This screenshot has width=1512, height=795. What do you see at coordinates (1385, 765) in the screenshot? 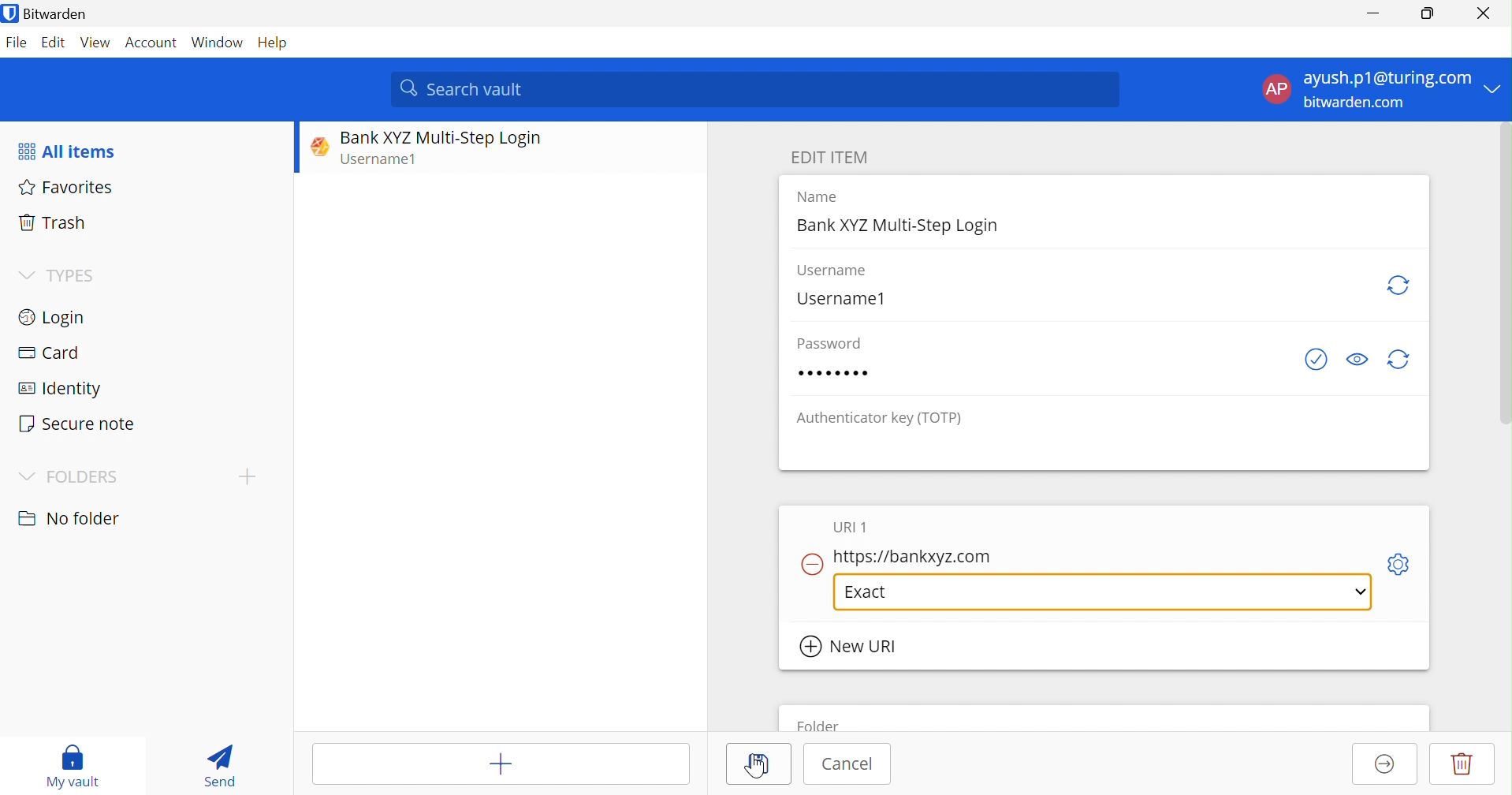
I see `Move to organisation` at bounding box center [1385, 765].